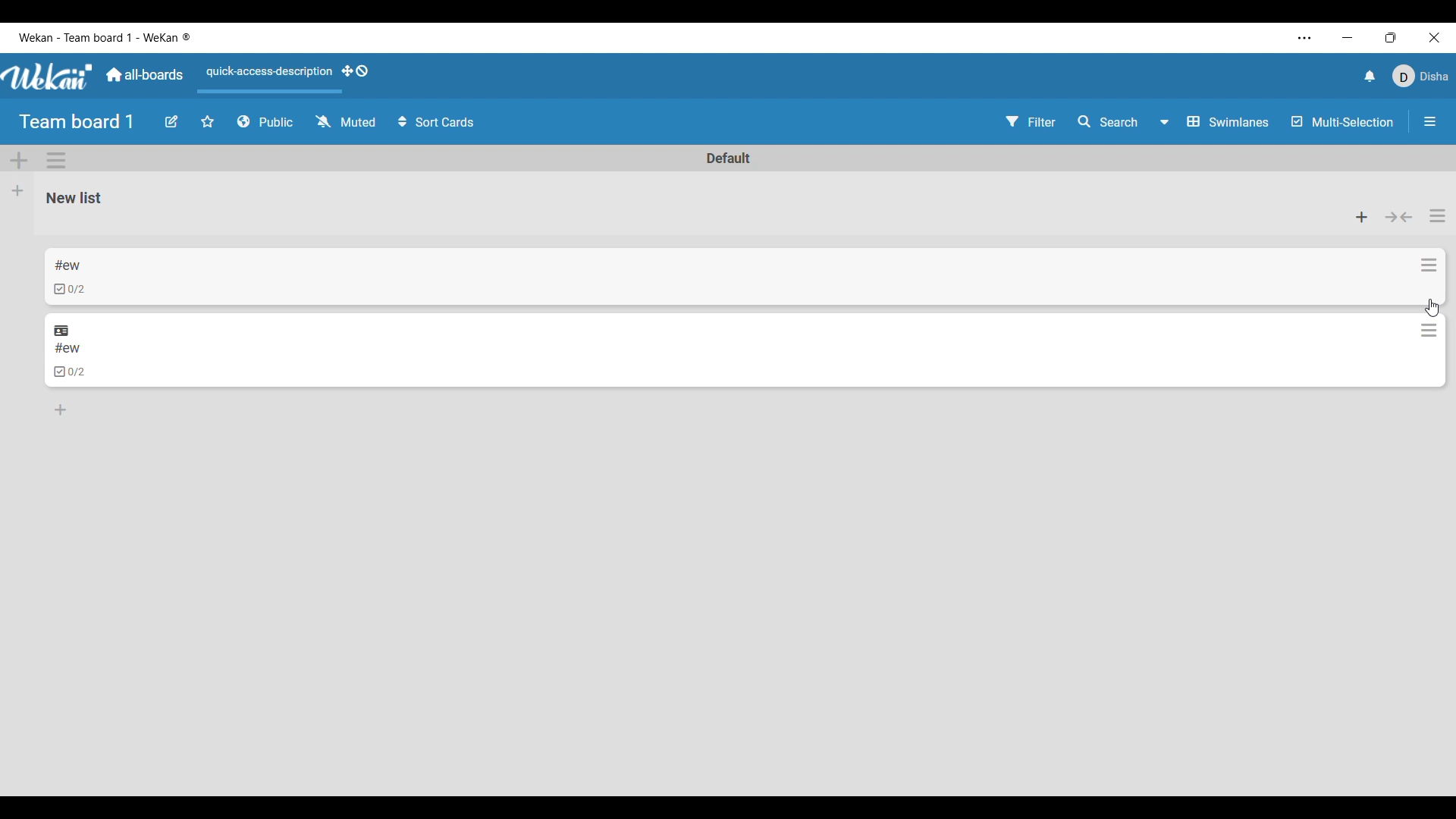 The image size is (1456, 819). I want to click on Change watch options, so click(345, 121).